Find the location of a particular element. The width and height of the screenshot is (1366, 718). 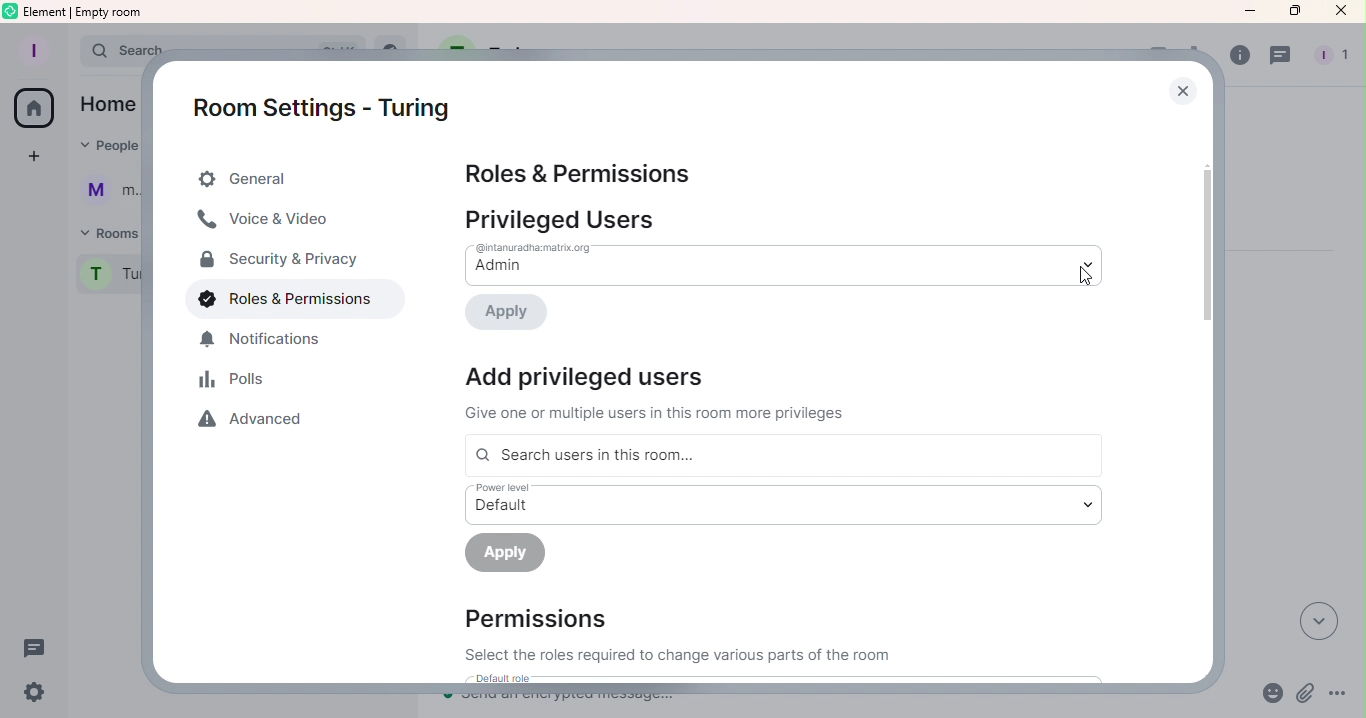

Close is located at coordinates (1181, 87).